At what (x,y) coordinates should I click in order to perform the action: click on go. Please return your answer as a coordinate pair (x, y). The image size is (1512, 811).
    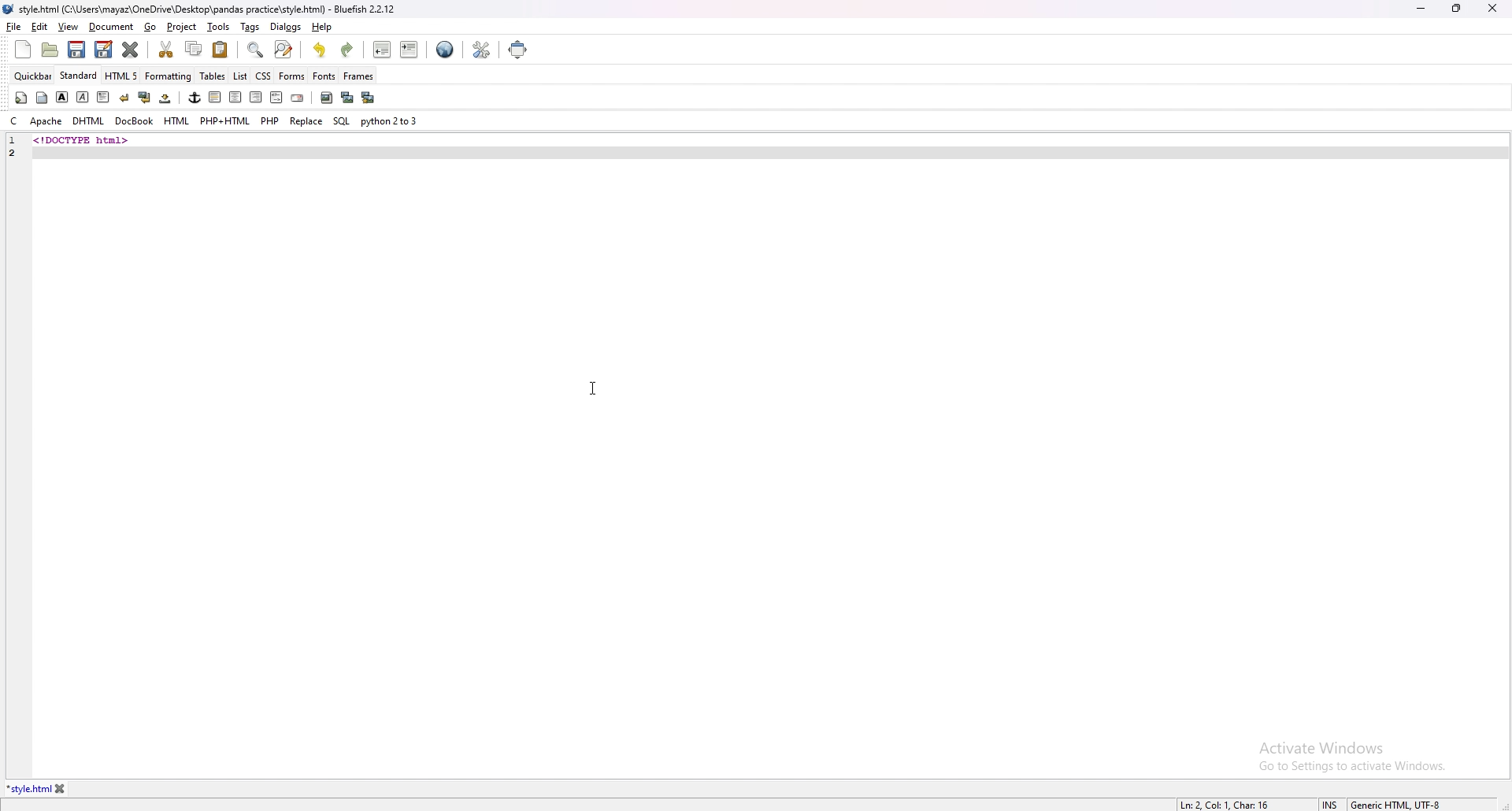
    Looking at the image, I should click on (152, 28).